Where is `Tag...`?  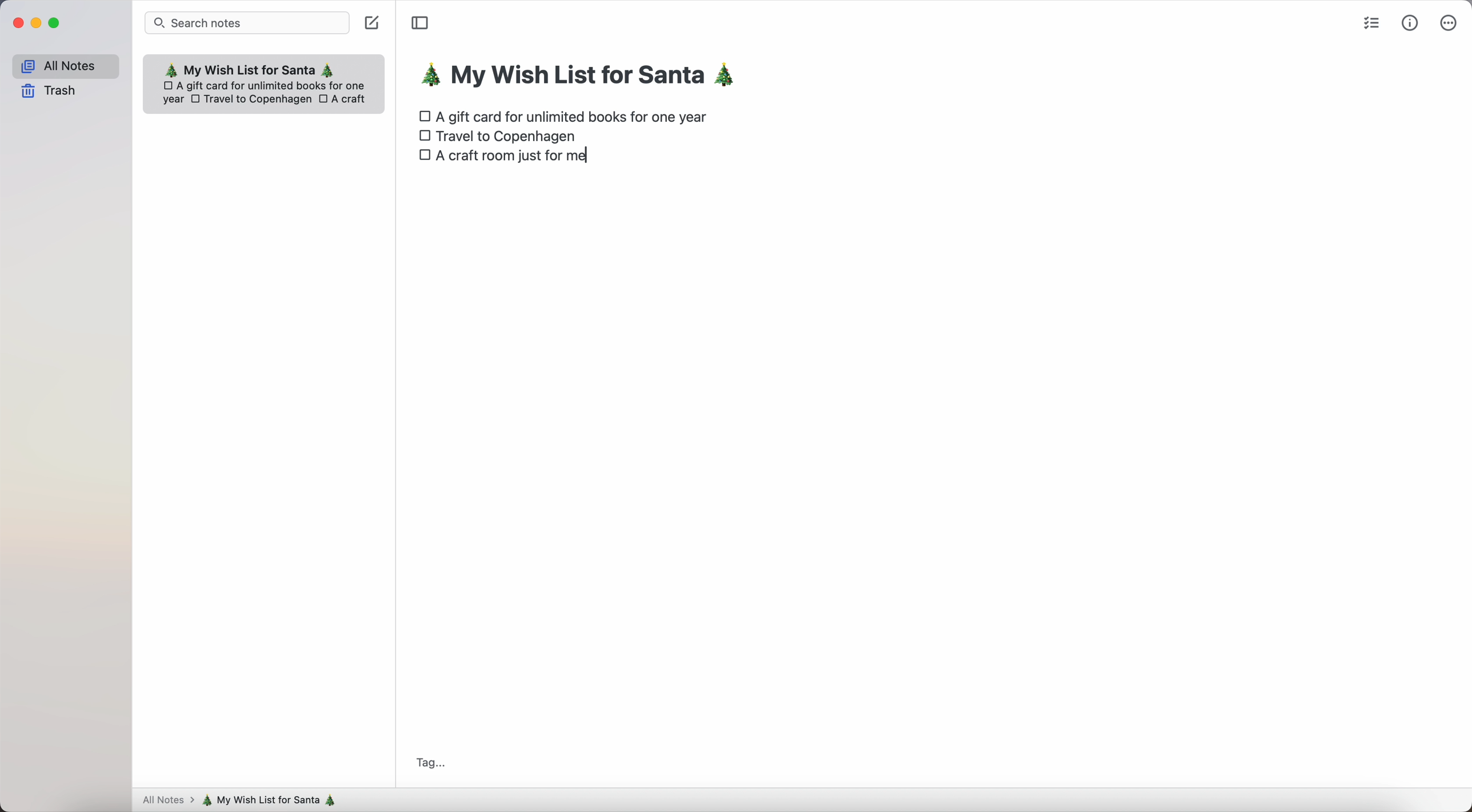
Tag... is located at coordinates (428, 763).